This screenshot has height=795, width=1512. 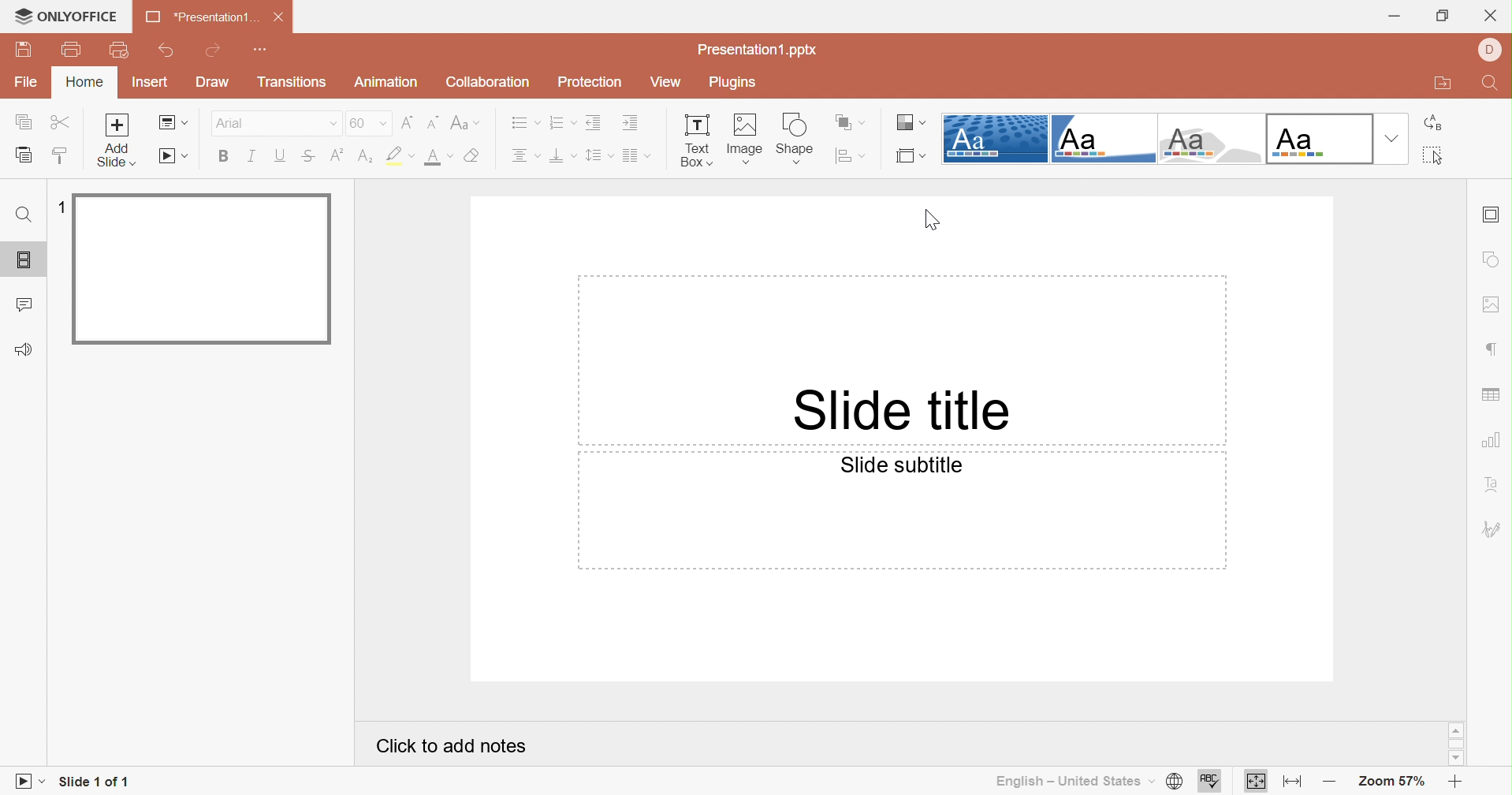 What do you see at coordinates (173, 121) in the screenshot?
I see `Change slide layout` at bounding box center [173, 121].